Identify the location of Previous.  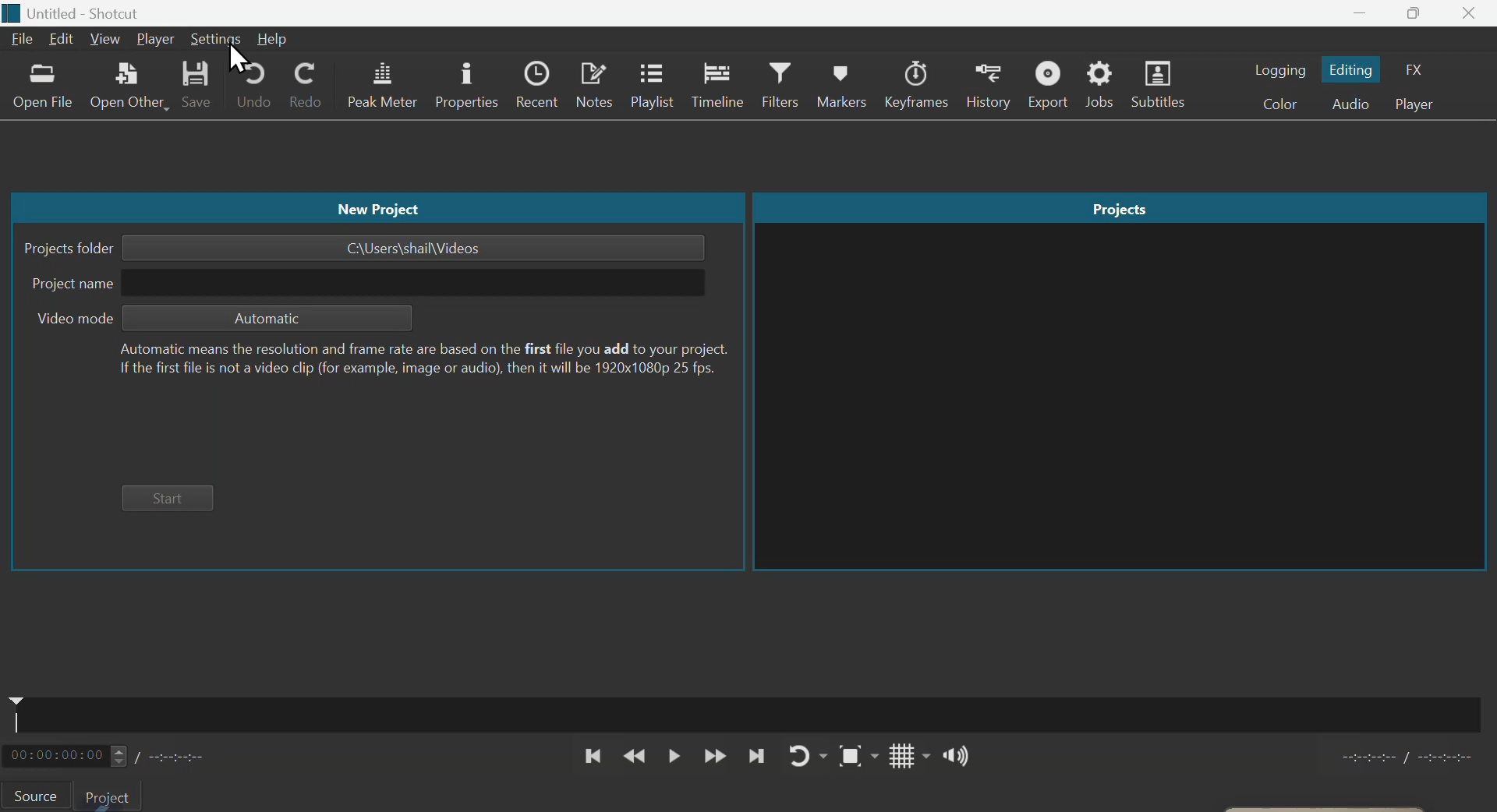
(593, 756).